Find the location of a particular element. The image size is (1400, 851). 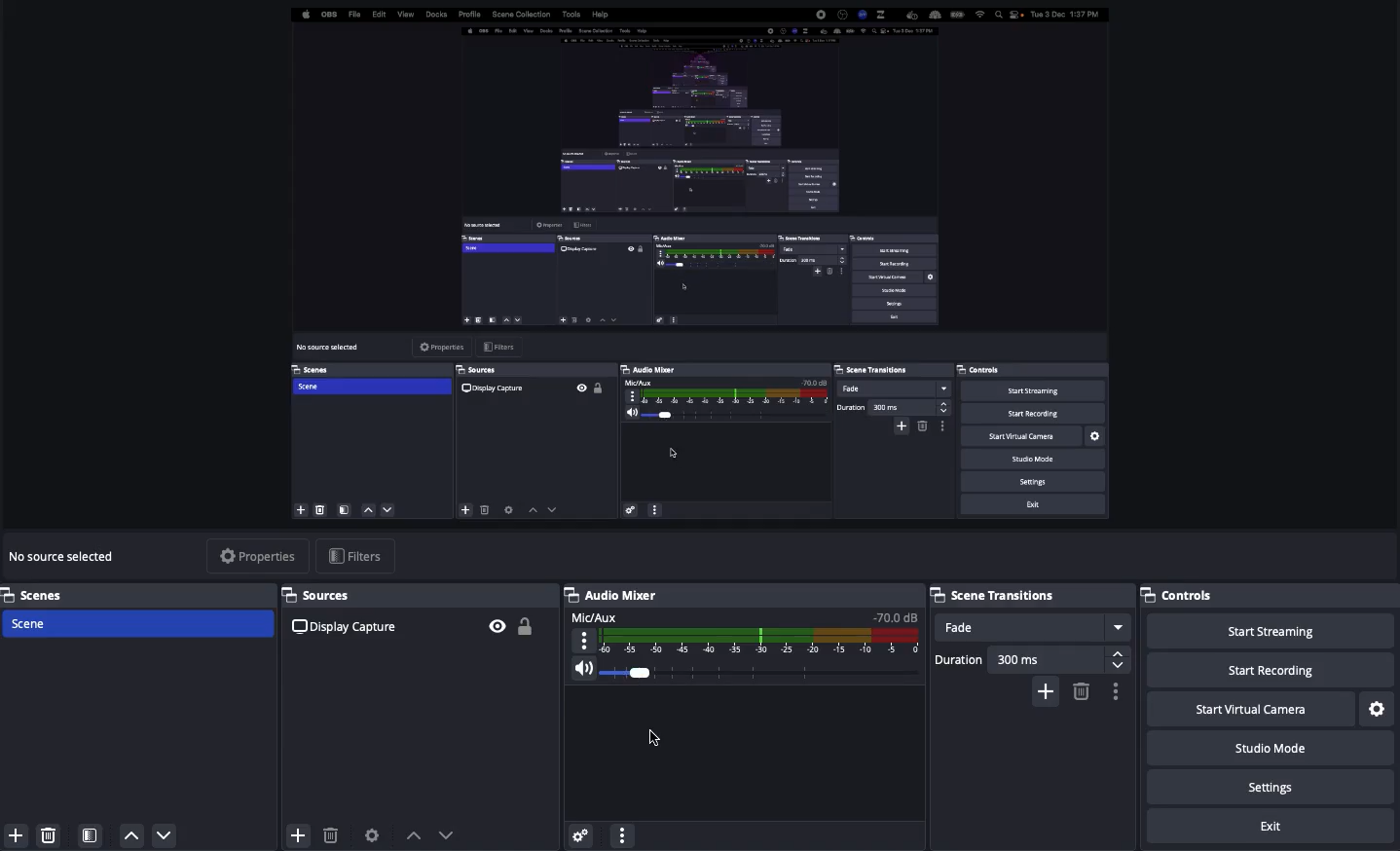

Mirror screen is located at coordinates (694, 265).